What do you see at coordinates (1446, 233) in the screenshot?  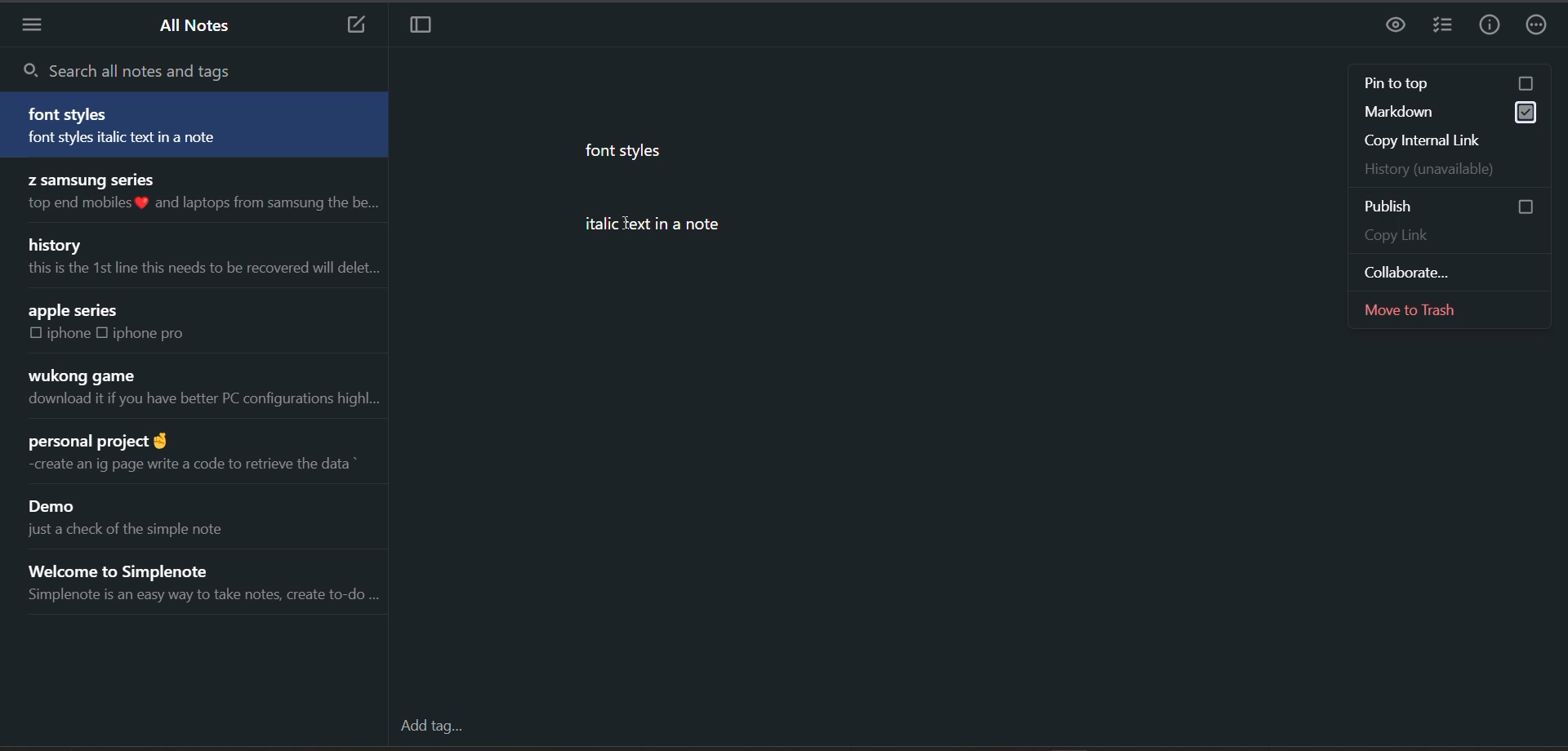 I see `copy link` at bounding box center [1446, 233].